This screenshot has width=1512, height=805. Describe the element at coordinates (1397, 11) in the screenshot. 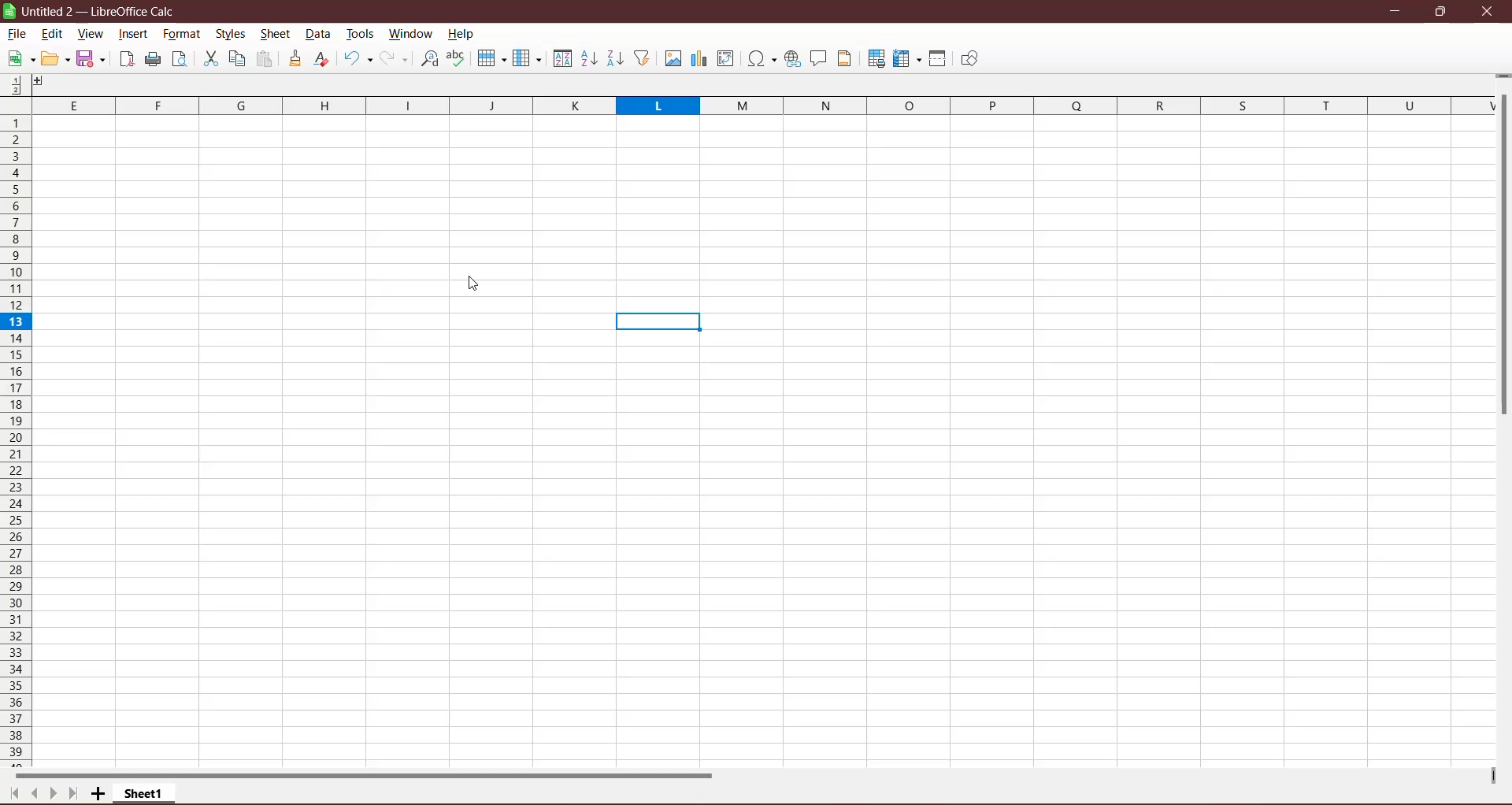

I see `Minimize` at that location.